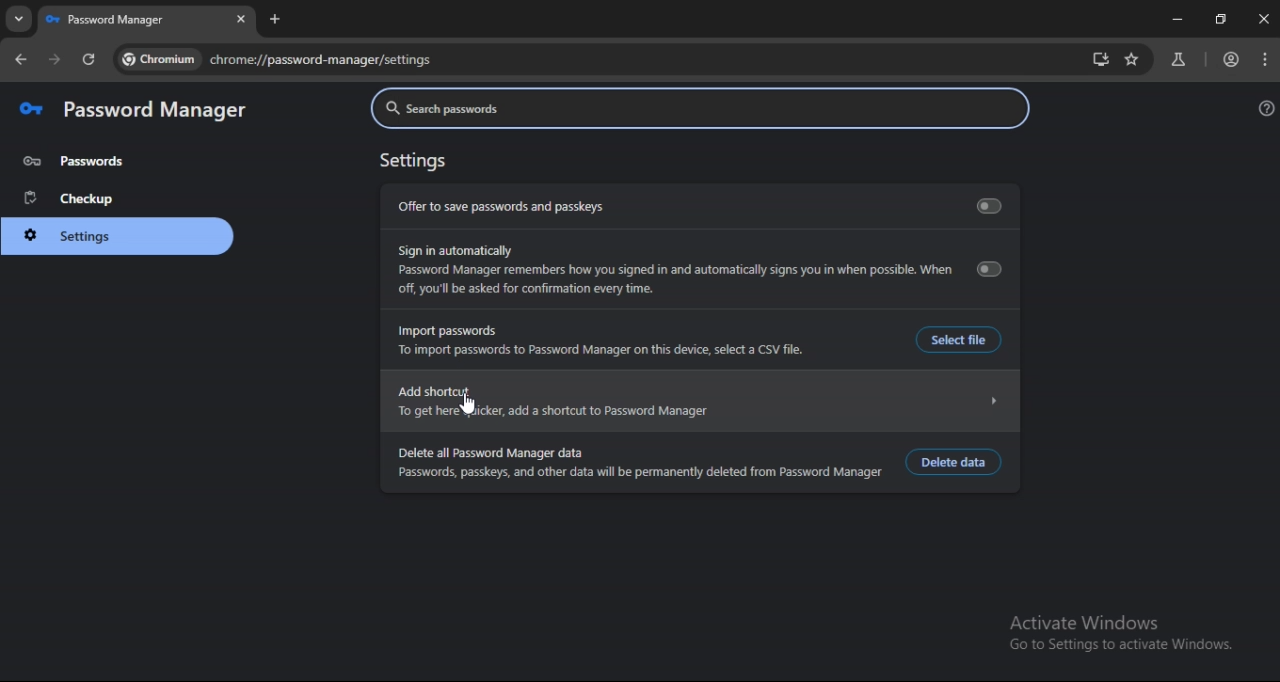 The width and height of the screenshot is (1280, 682). I want to click on delete data, so click(954, 462).